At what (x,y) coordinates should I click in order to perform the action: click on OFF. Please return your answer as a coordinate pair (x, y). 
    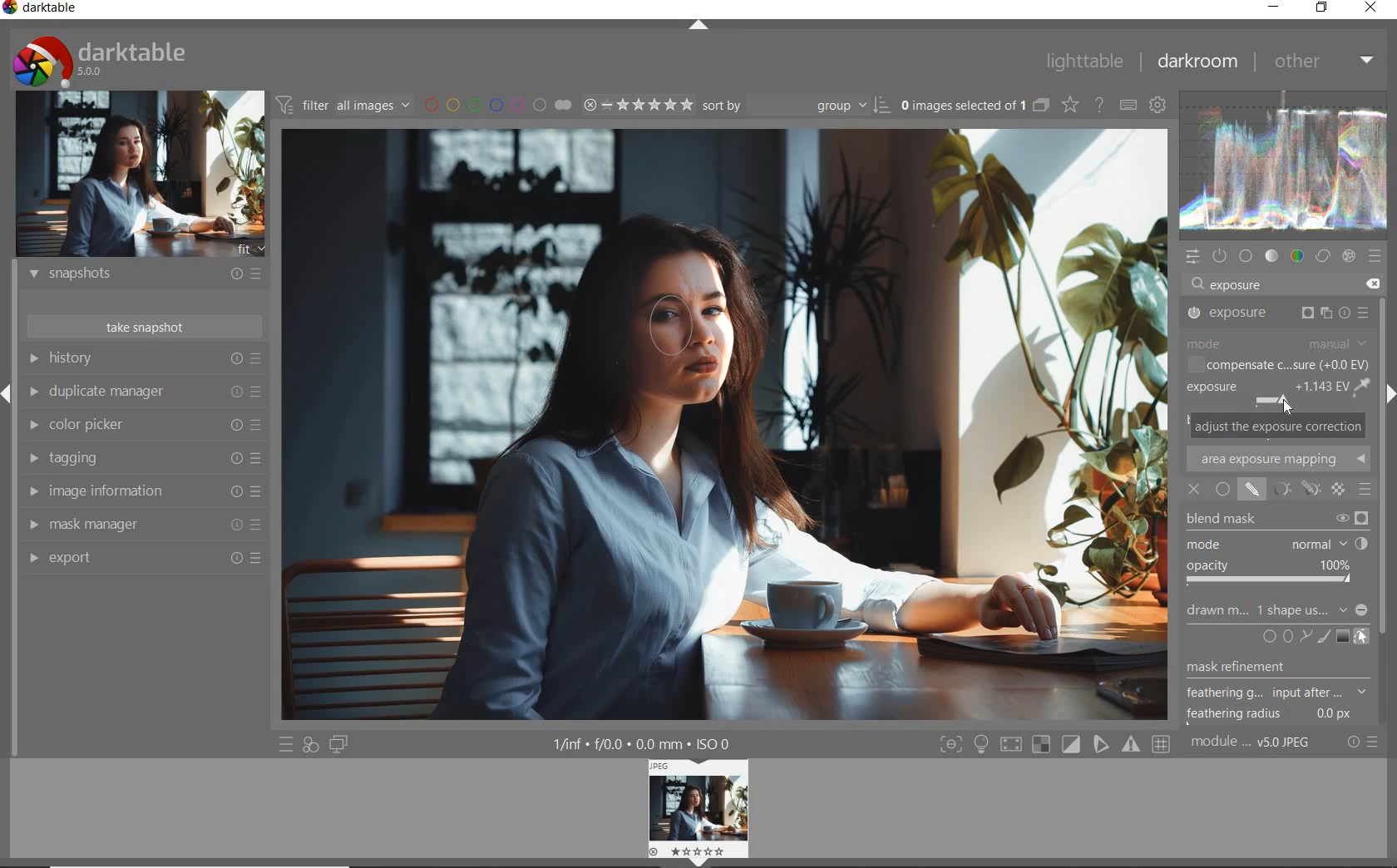
    Looking at the image, I should click on (1193, 491).